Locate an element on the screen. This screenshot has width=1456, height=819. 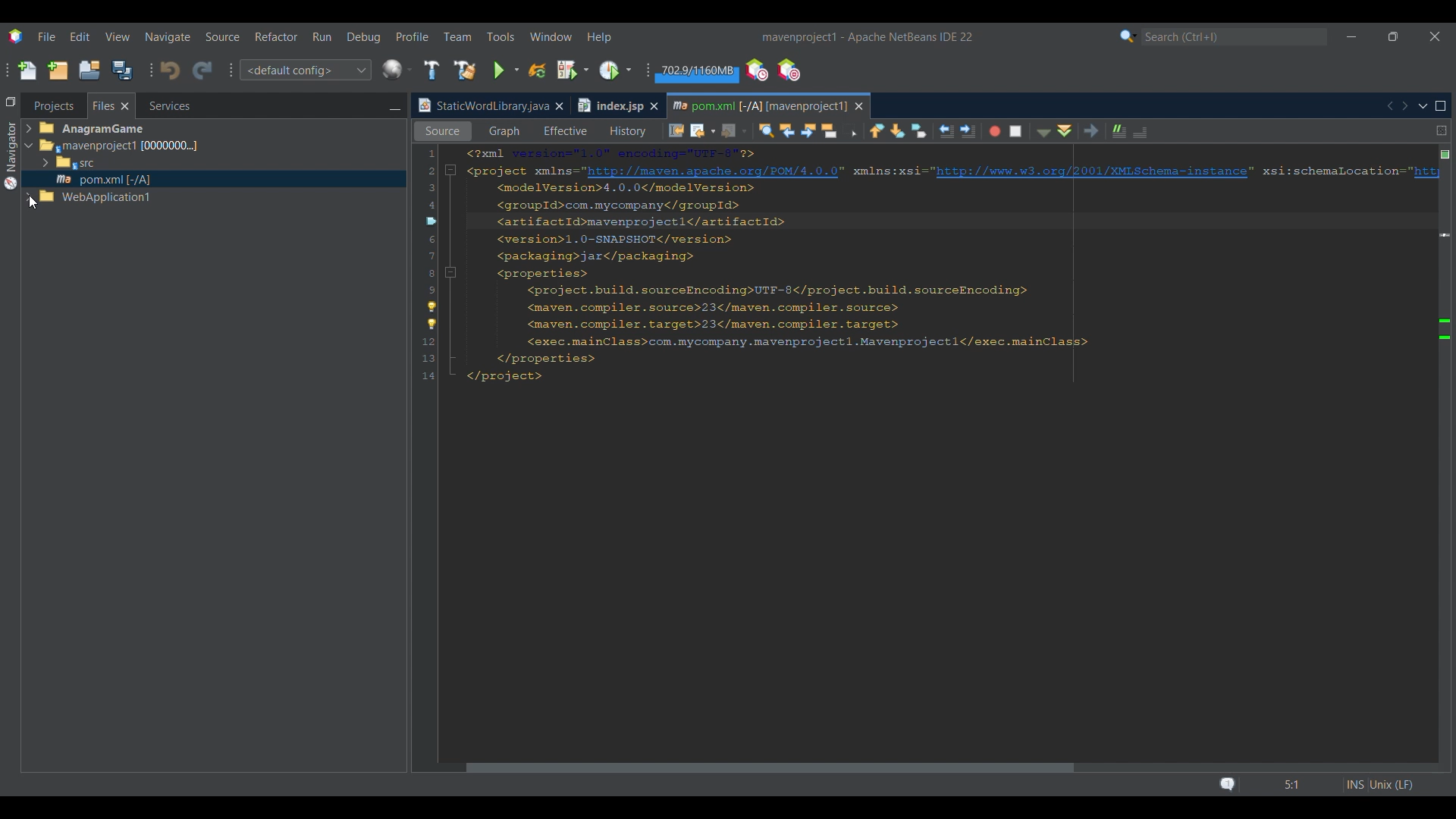
Find previous occurrence is located at coordinates (788, 132).